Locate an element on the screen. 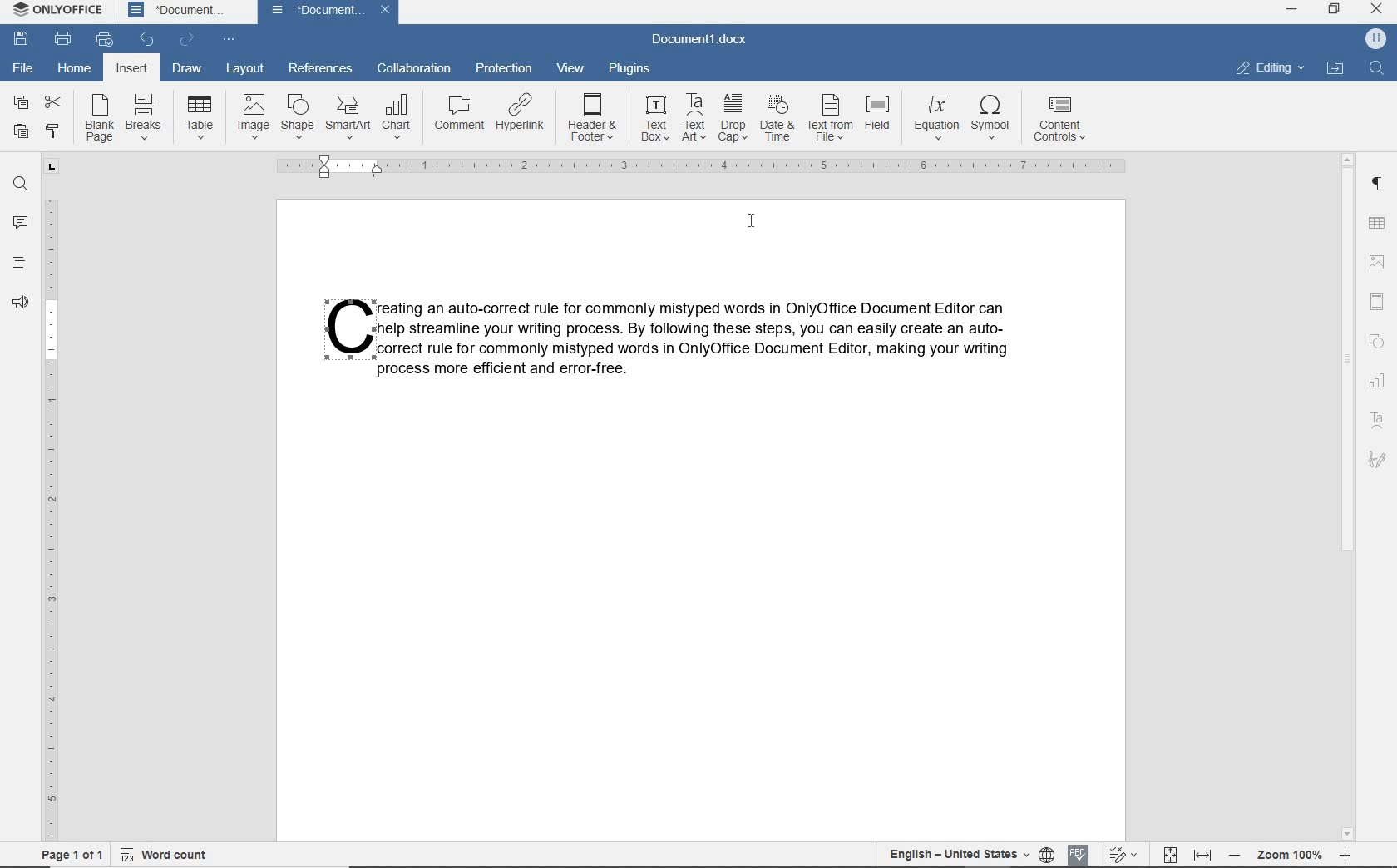 The width and height of the screenshot is (1397, 868). breaks is located at coordinates (144, 116).